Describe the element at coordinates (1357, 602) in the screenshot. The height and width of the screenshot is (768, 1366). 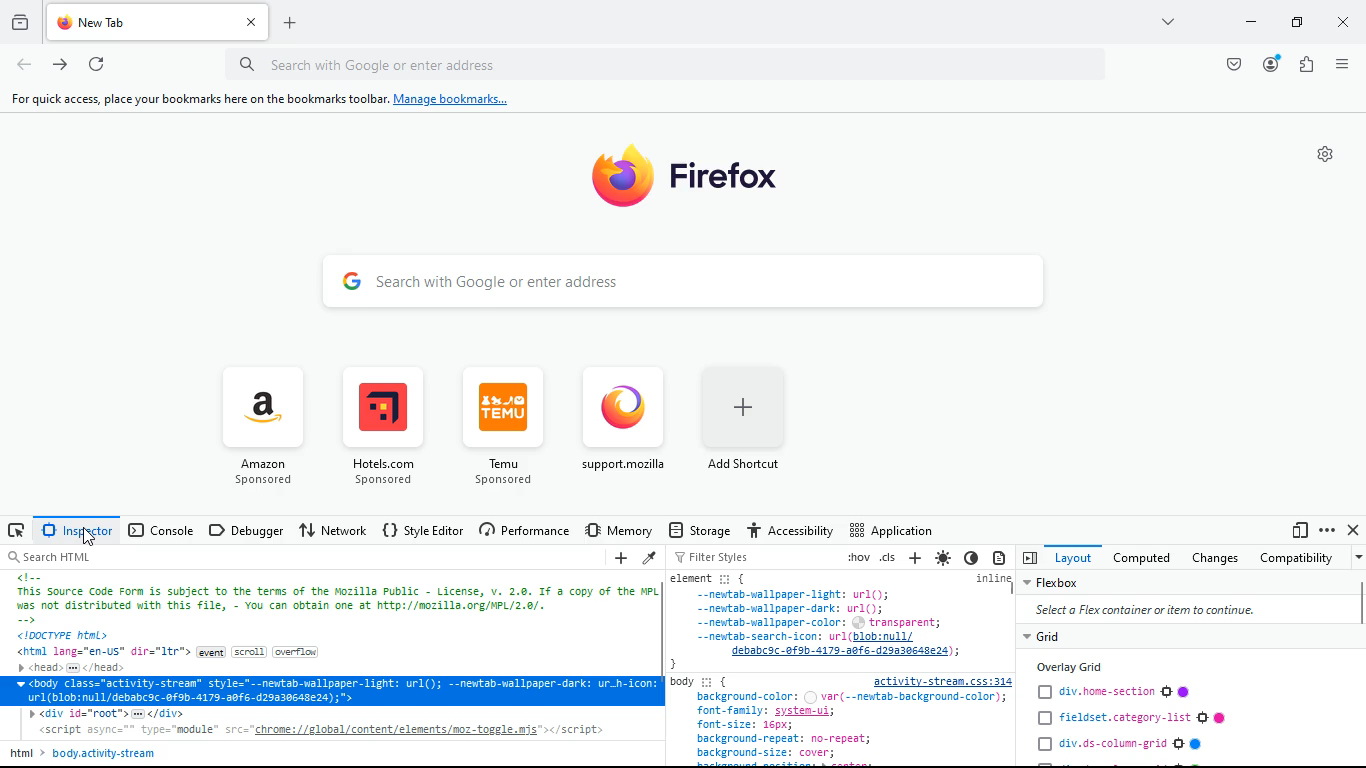
I see `vertical scrollbar` at that location.